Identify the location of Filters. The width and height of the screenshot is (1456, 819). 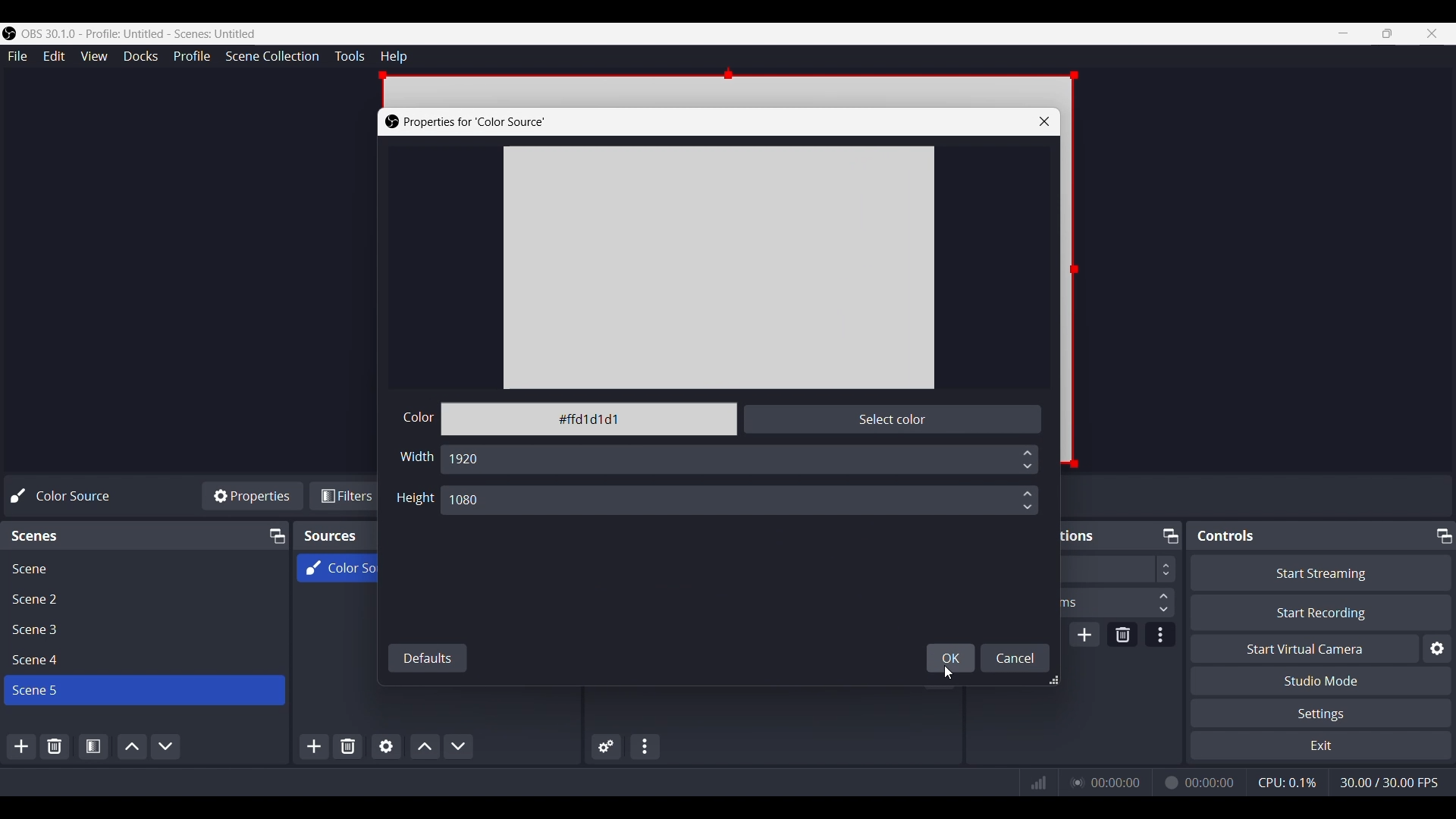
(350, 494).